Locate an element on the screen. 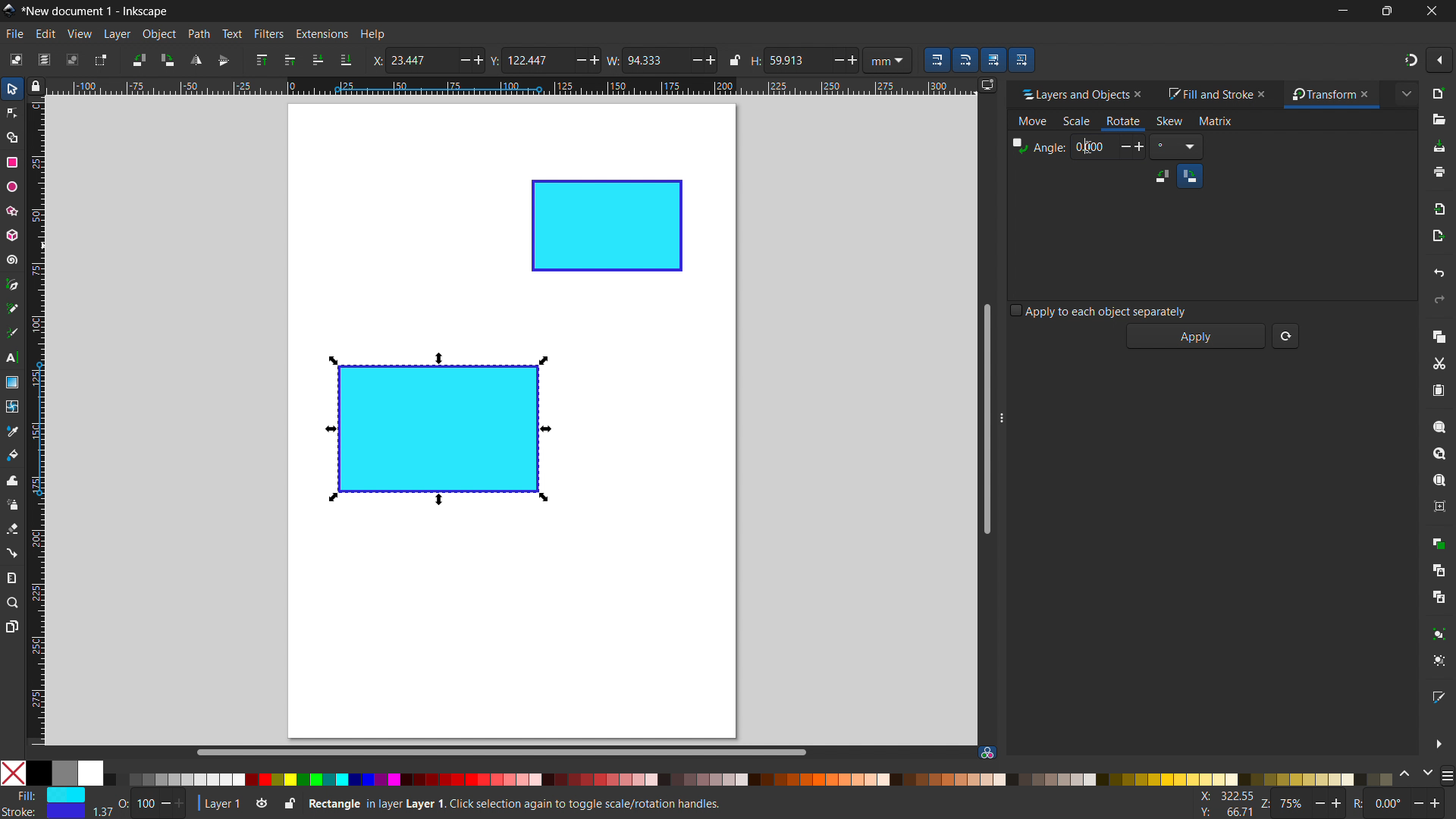 The width and height of the screenshot is (1456, 819). spiral tool is located at coordinates (11, 259).